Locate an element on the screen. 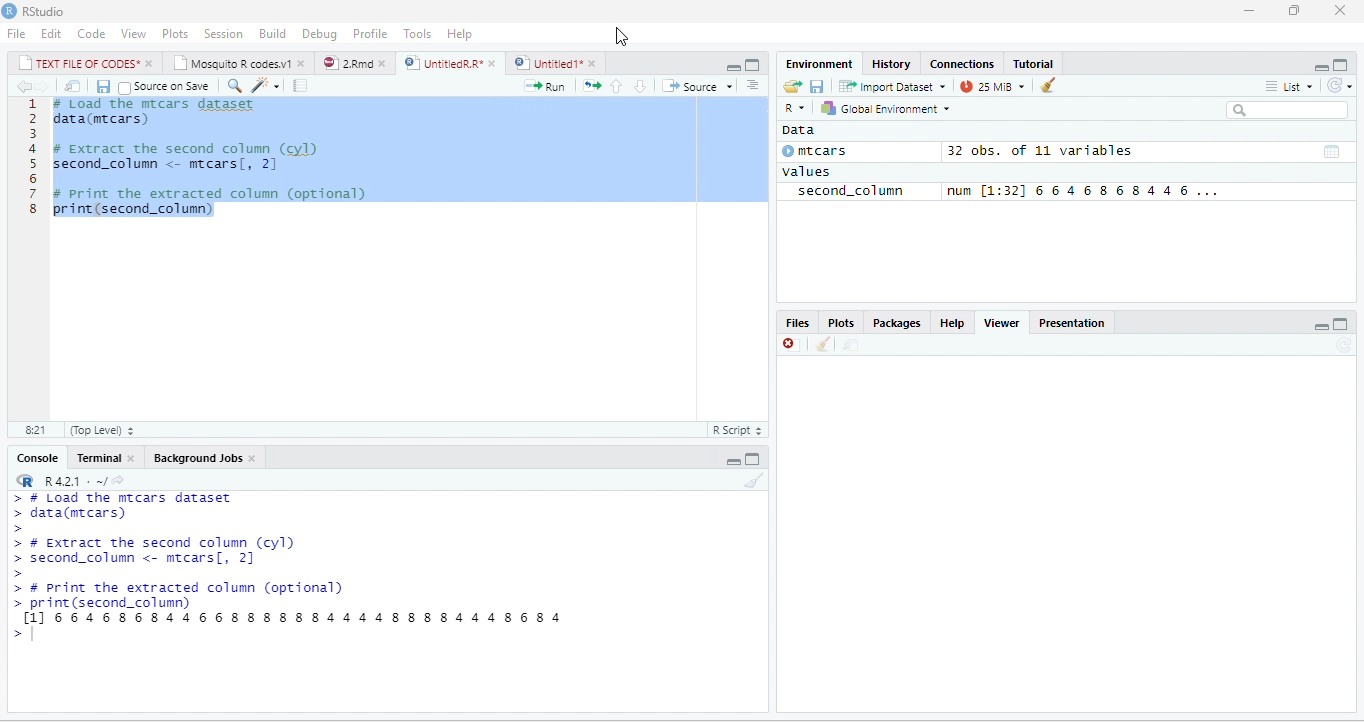 Image resolution: width=1364 pixels, height=722 pixels. close is located at coordinates (595, 63).